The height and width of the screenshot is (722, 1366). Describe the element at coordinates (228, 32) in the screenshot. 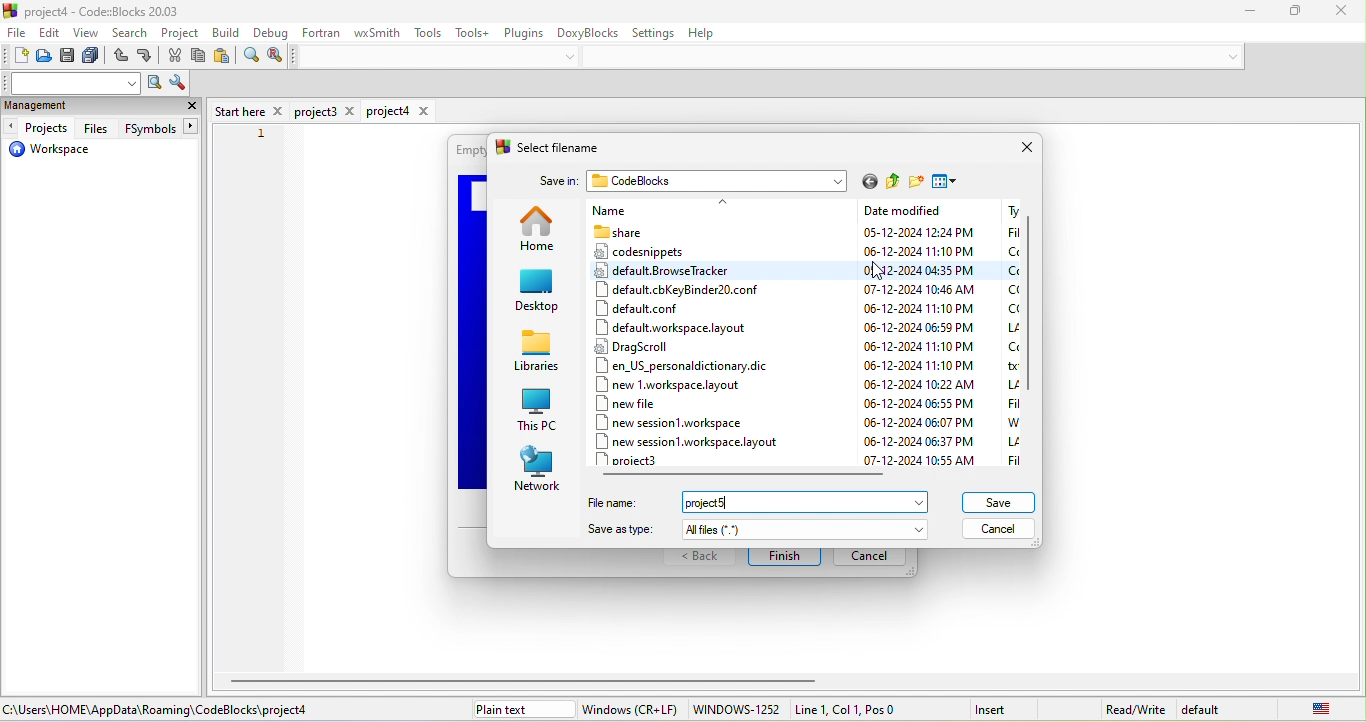

I see `build` at that location.